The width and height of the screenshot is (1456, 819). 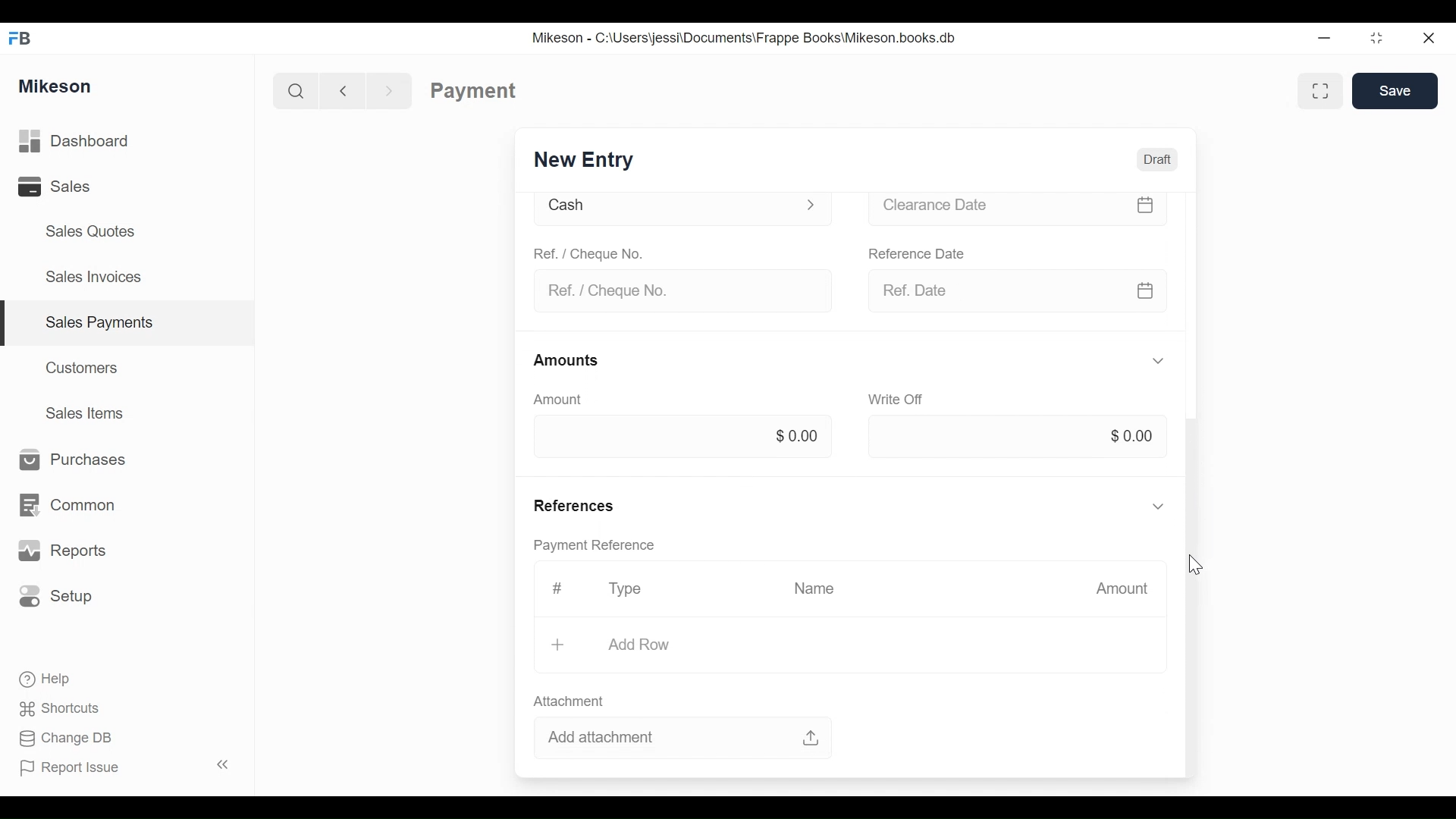 What do you see at coordinates (626, 588) in the screenshot?
I see `Type` at bounding box center [626, 588].